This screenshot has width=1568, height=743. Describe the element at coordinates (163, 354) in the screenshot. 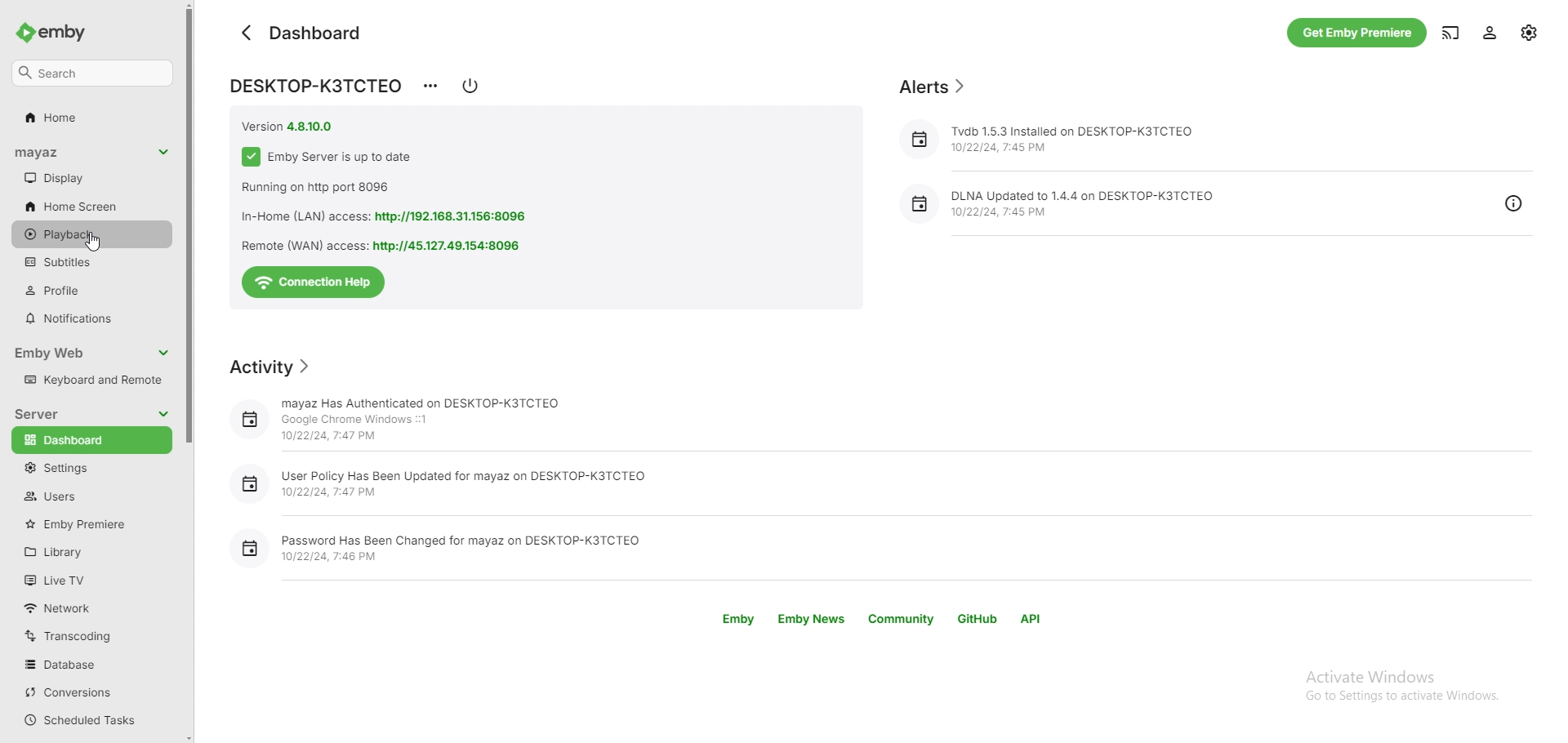

I see `collapse` at that location.